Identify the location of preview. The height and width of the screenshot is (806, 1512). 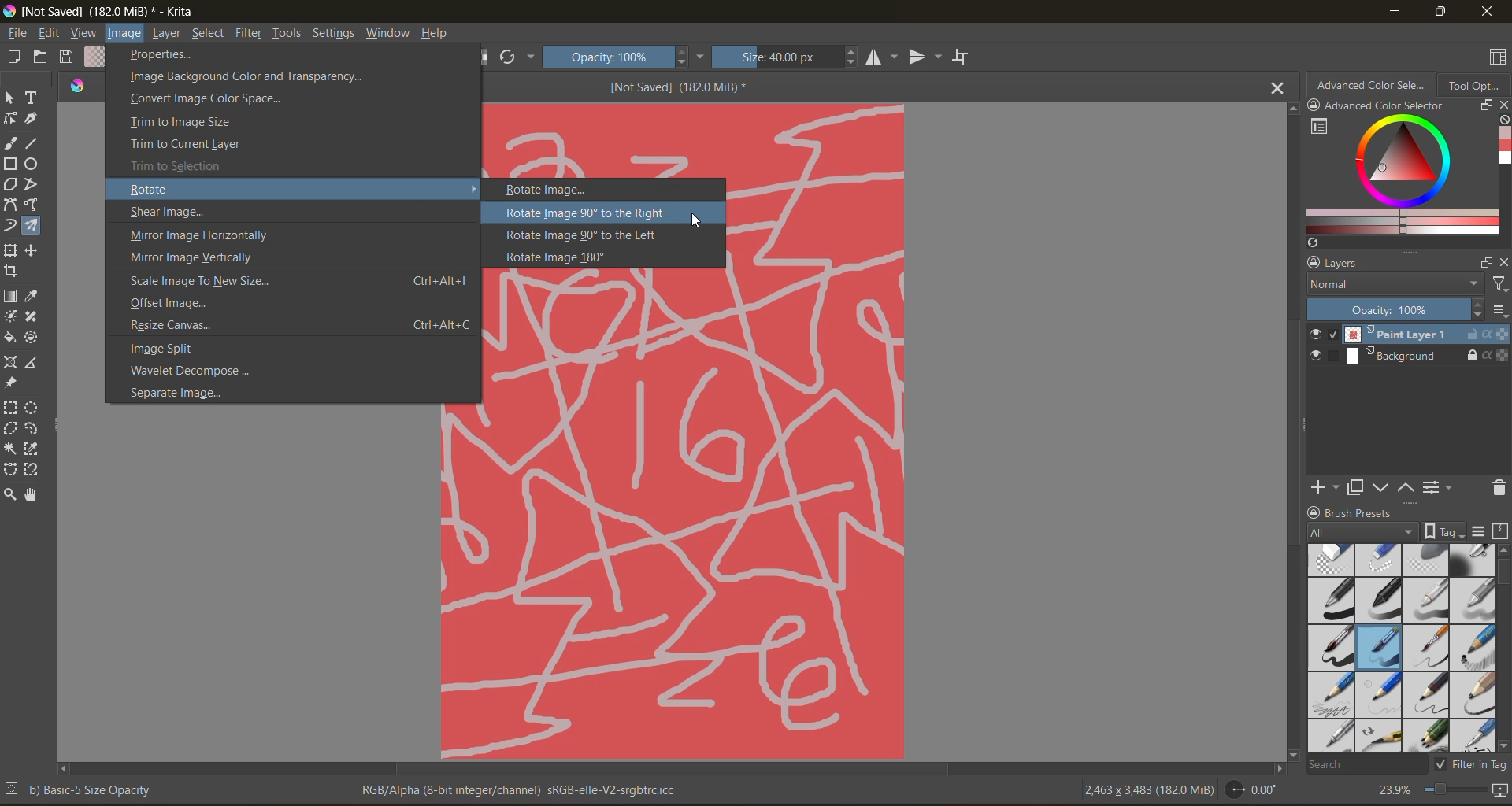
(1318, 346).